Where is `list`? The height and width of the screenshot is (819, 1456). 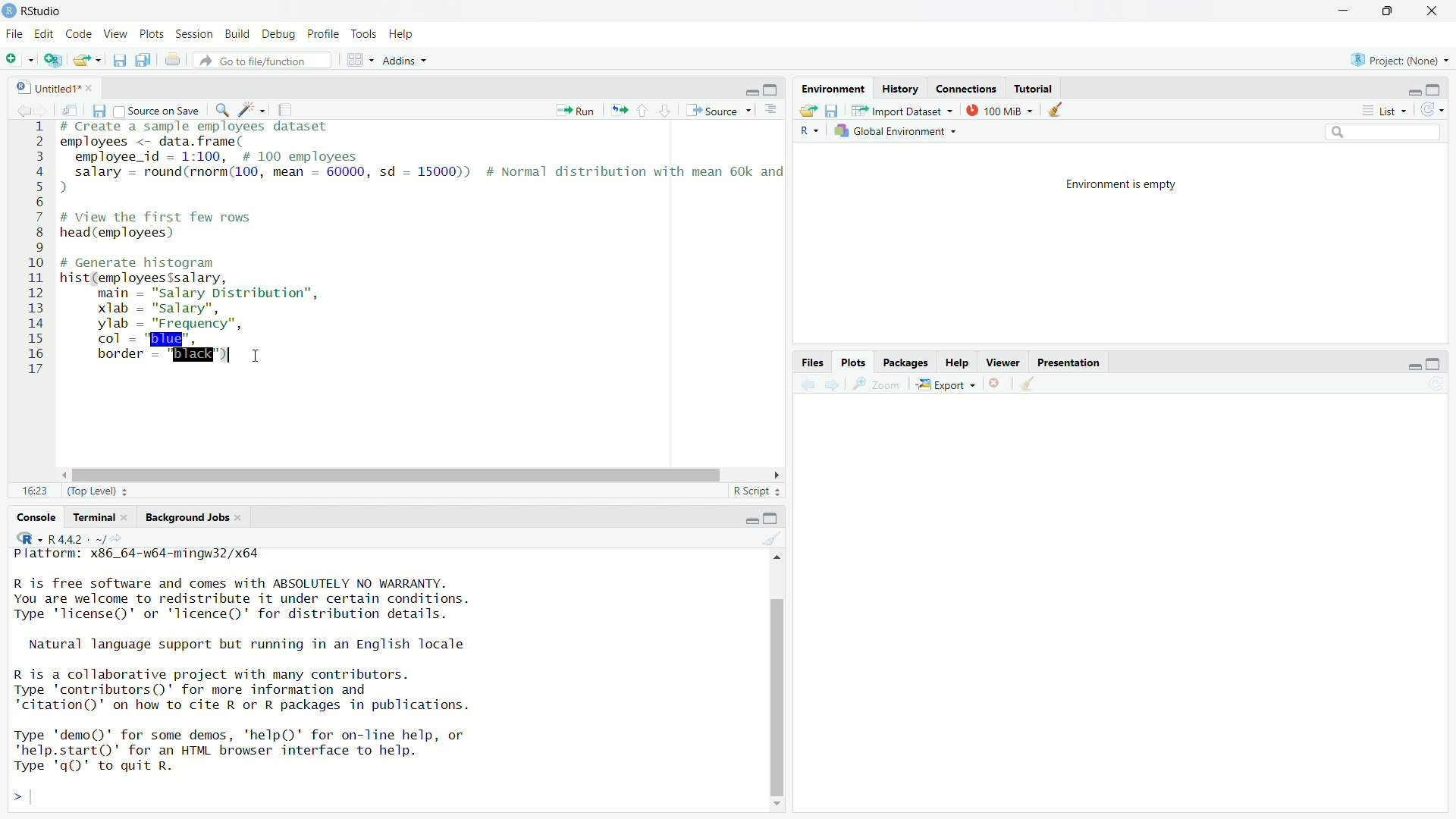 list is located at coordinates (1387, 111).